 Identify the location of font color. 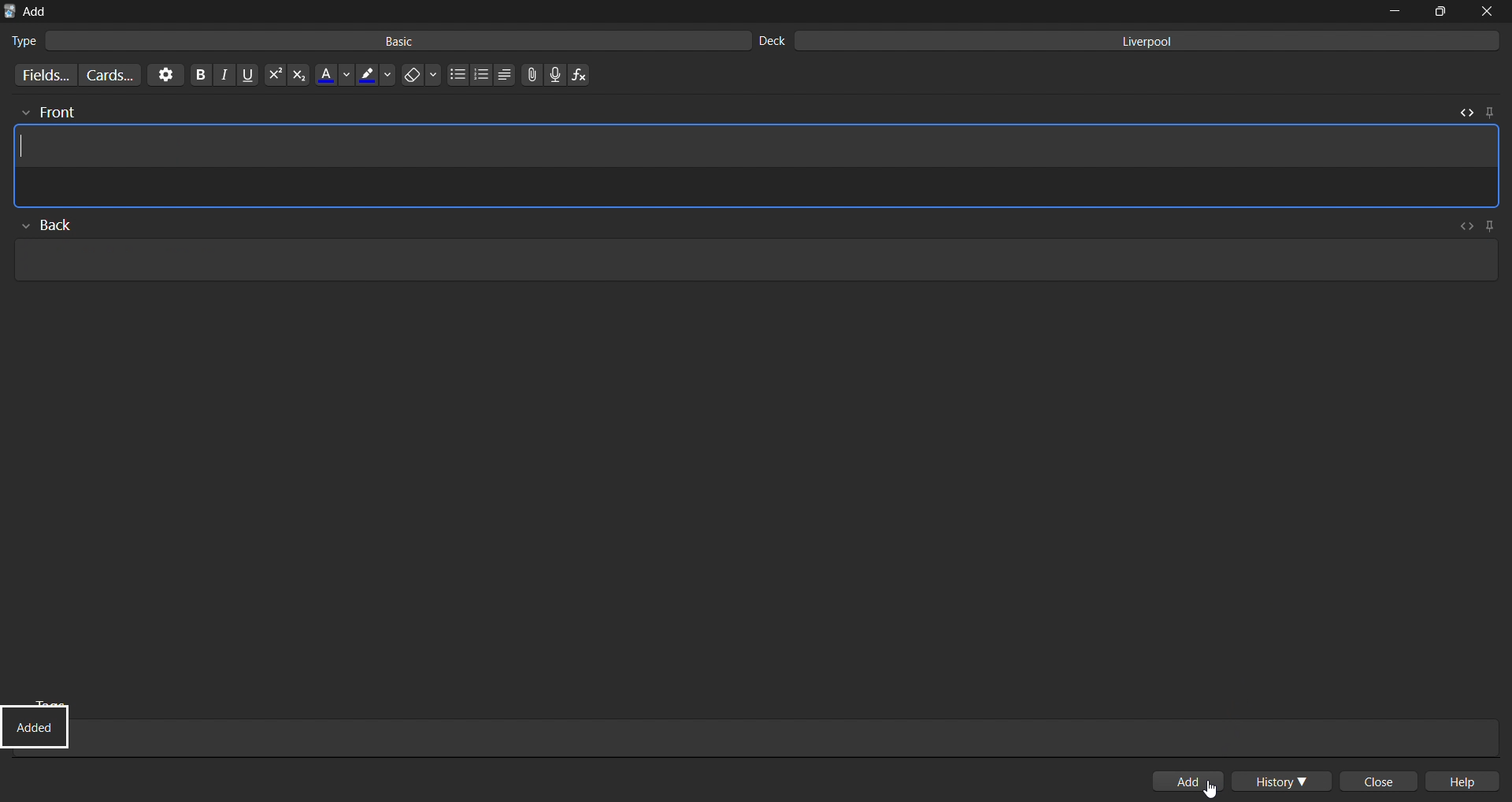
(335, 72).